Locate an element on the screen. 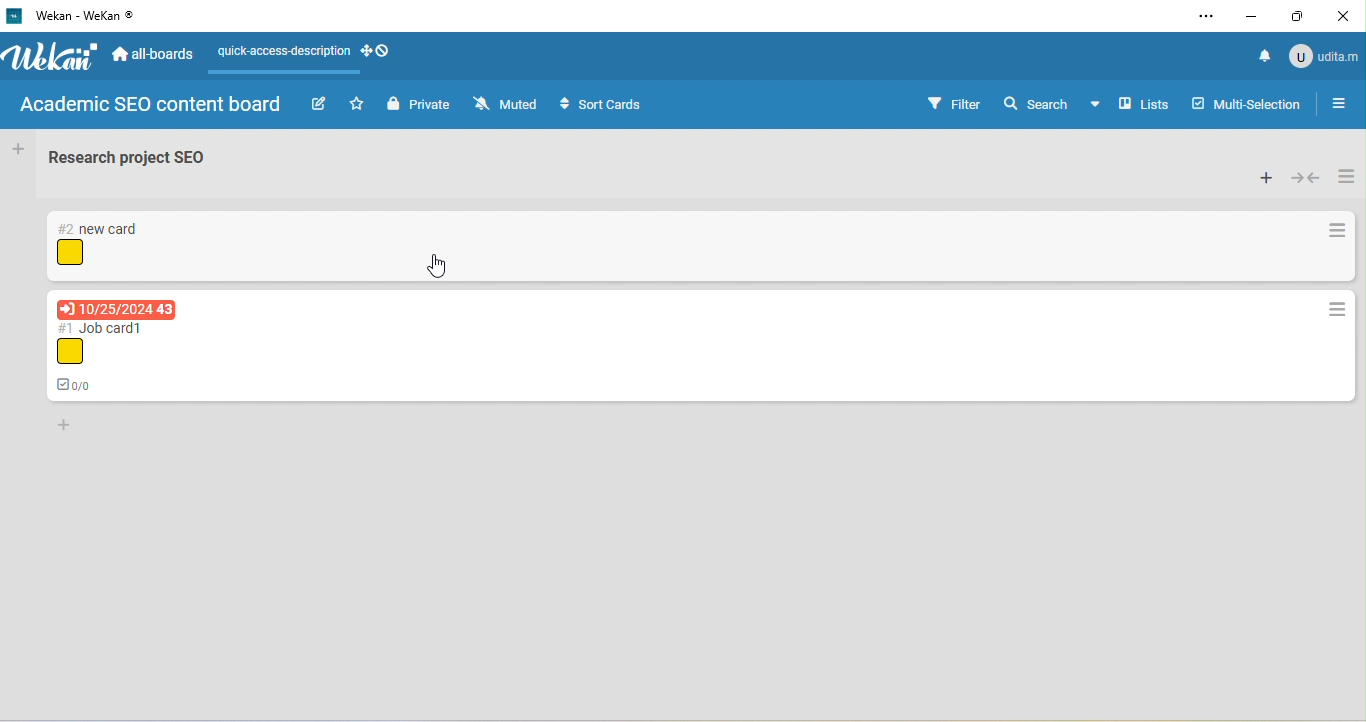  wekan is located at coordinates (53, 58).